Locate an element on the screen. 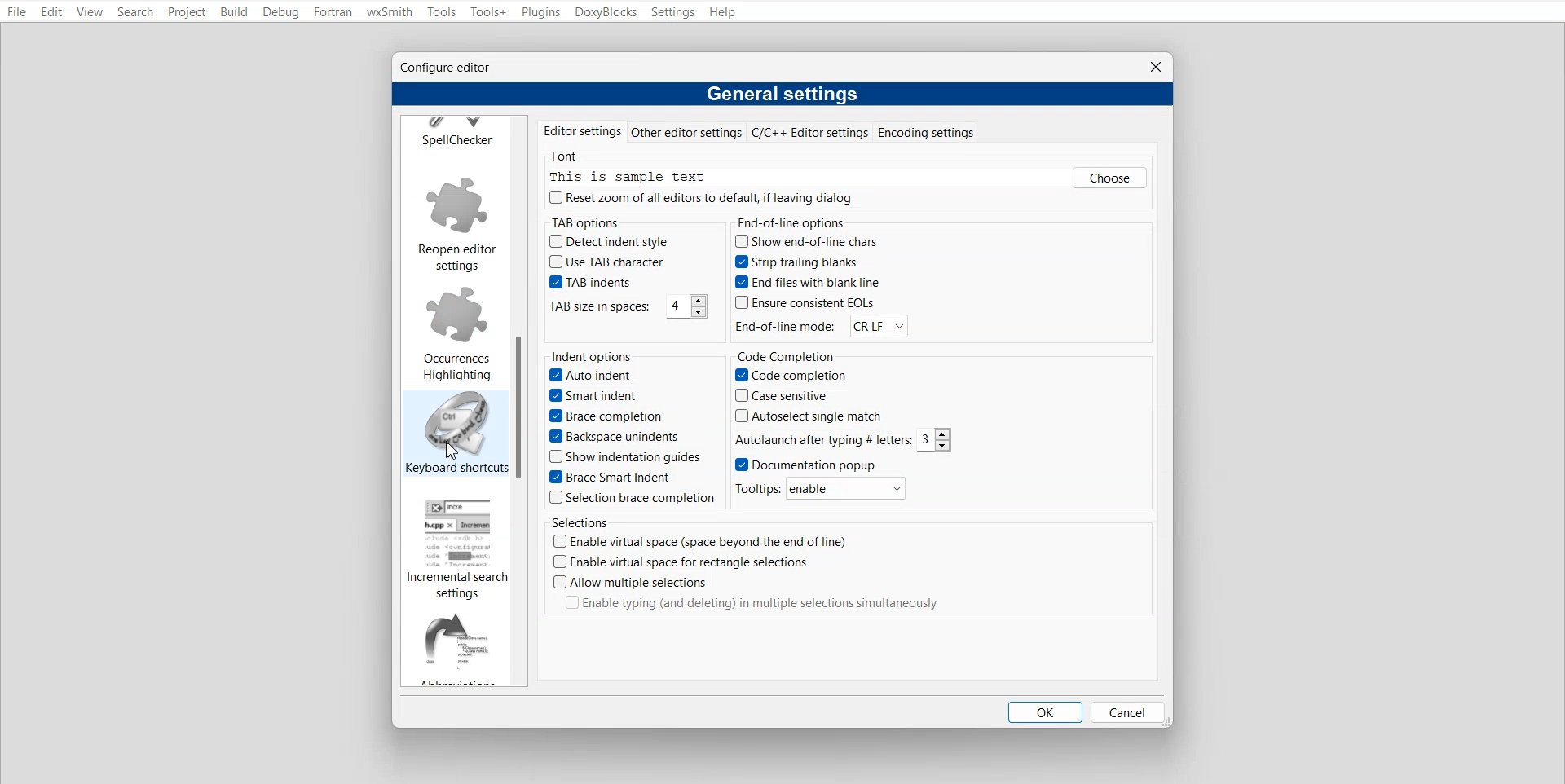 The width and height of the screenshot is (1565, 784). TAB size in spaces: is located at coordinates (598, 306).